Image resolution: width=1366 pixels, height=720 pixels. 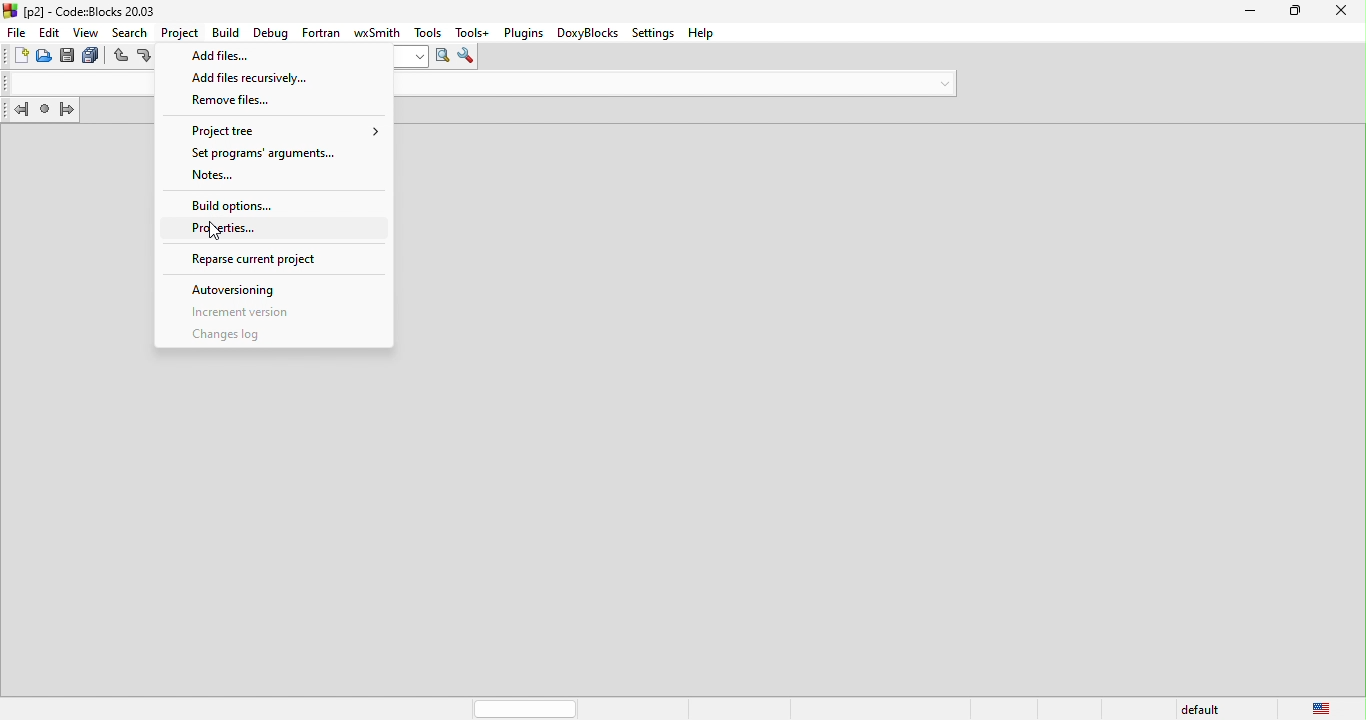 I want to click on new, so click(x=15, y=58).